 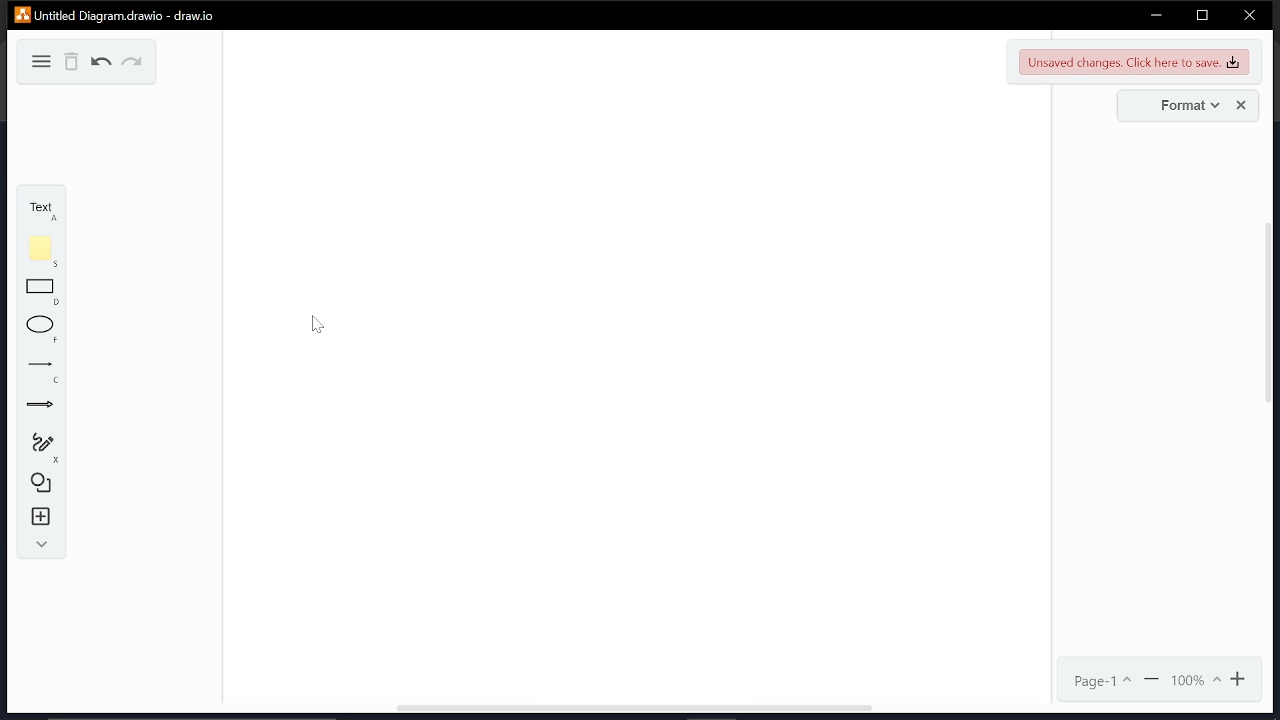 I want to click on vertical scrollbar, so click(x=1271, y=320).